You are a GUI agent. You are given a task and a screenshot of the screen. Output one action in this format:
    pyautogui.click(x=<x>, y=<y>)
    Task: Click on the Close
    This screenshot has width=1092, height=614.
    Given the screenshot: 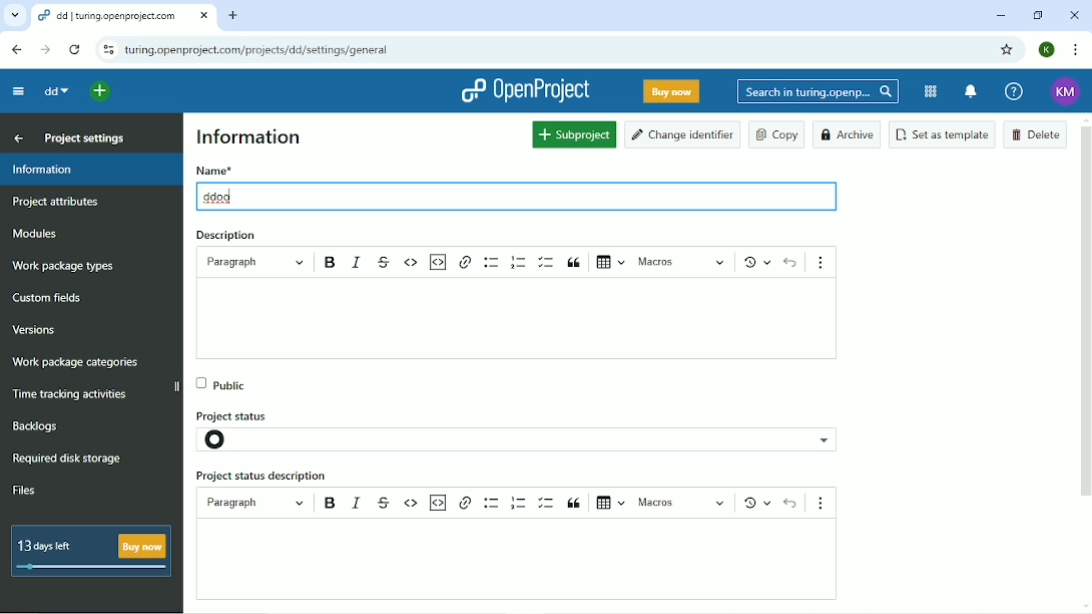 What is the action you would take?
    pyautogui.click(x=1075, y=15)
    